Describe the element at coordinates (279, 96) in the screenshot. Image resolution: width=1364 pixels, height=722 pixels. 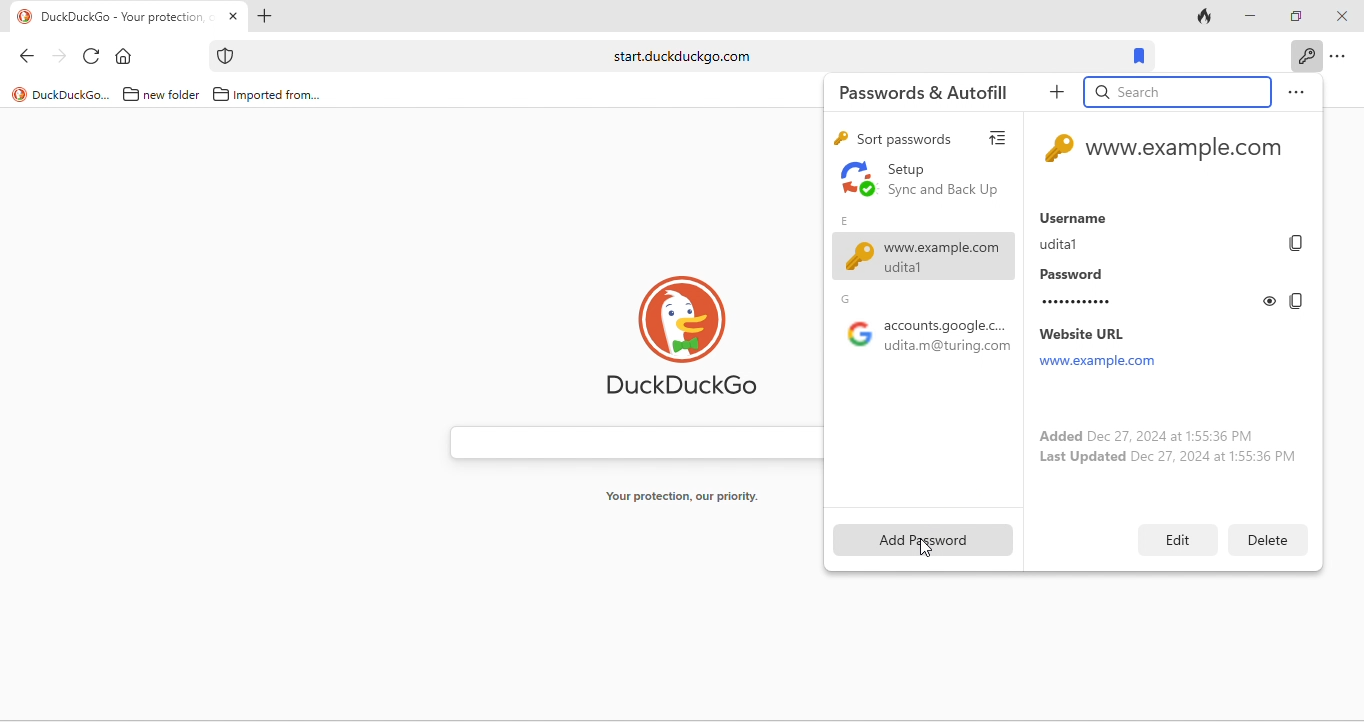
I see `imported from` at that location.